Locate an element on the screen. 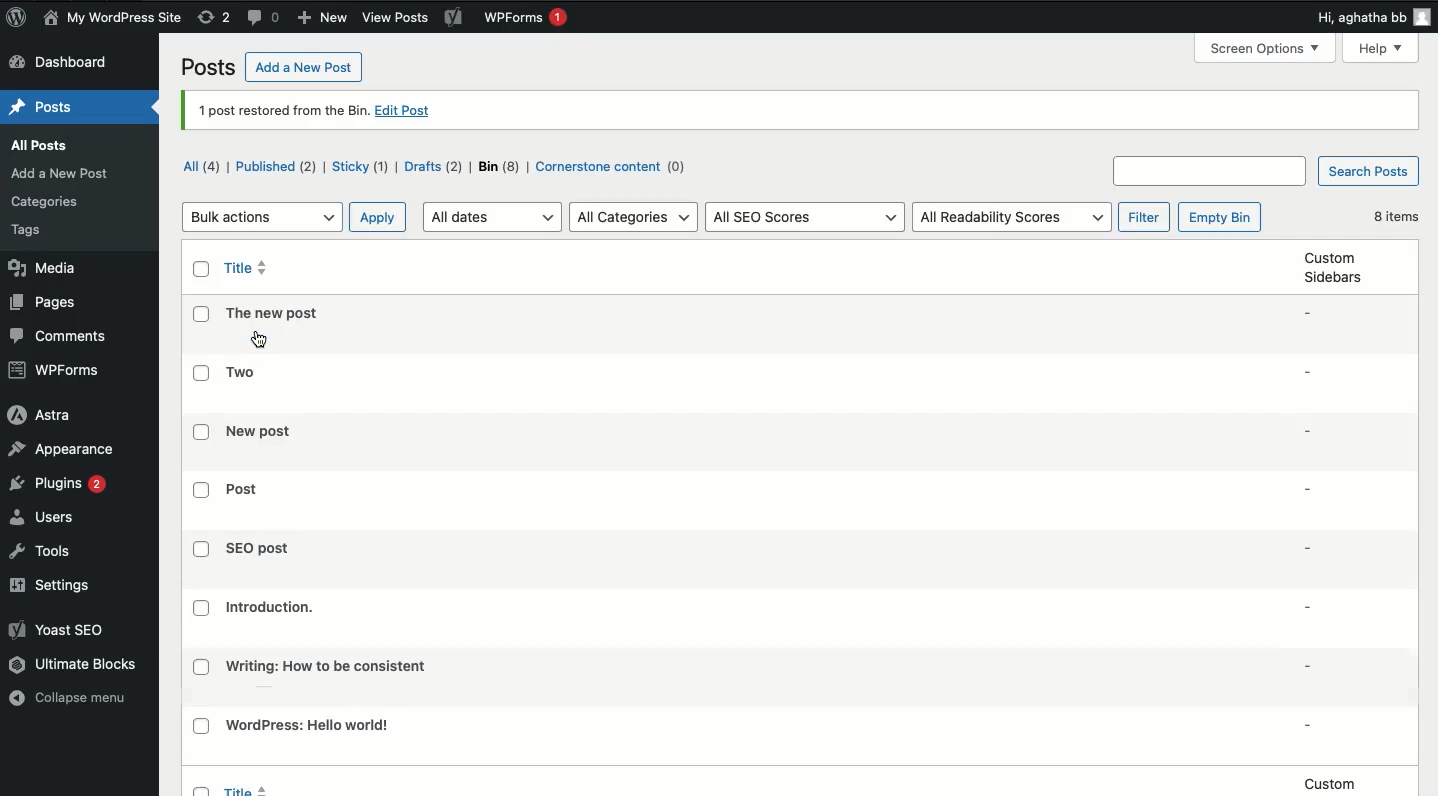 This screenshot has height=796, width=1438. Search posts is located at coordinates (1369, 171).